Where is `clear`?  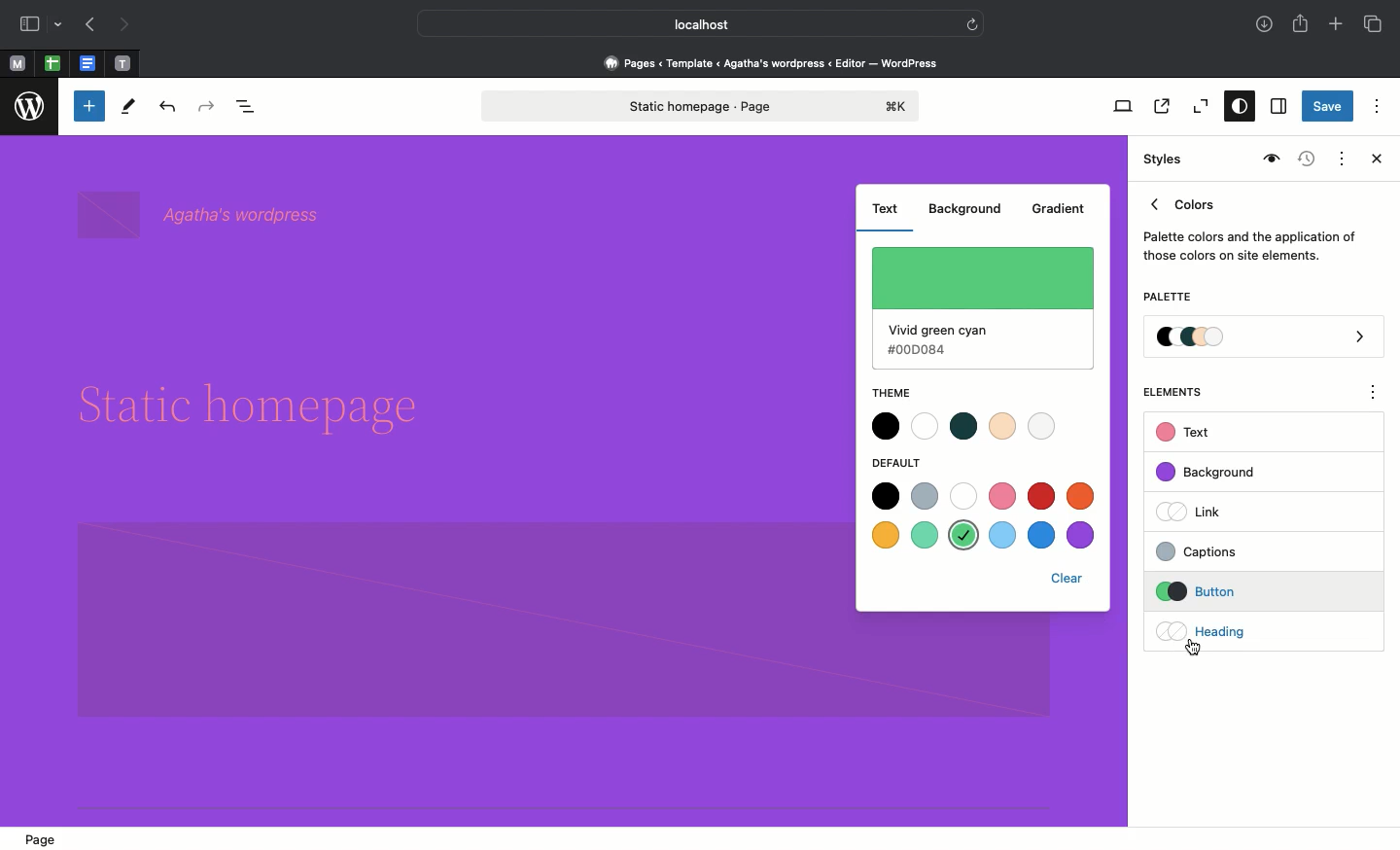 clear is located at coordinates (1072, 580).